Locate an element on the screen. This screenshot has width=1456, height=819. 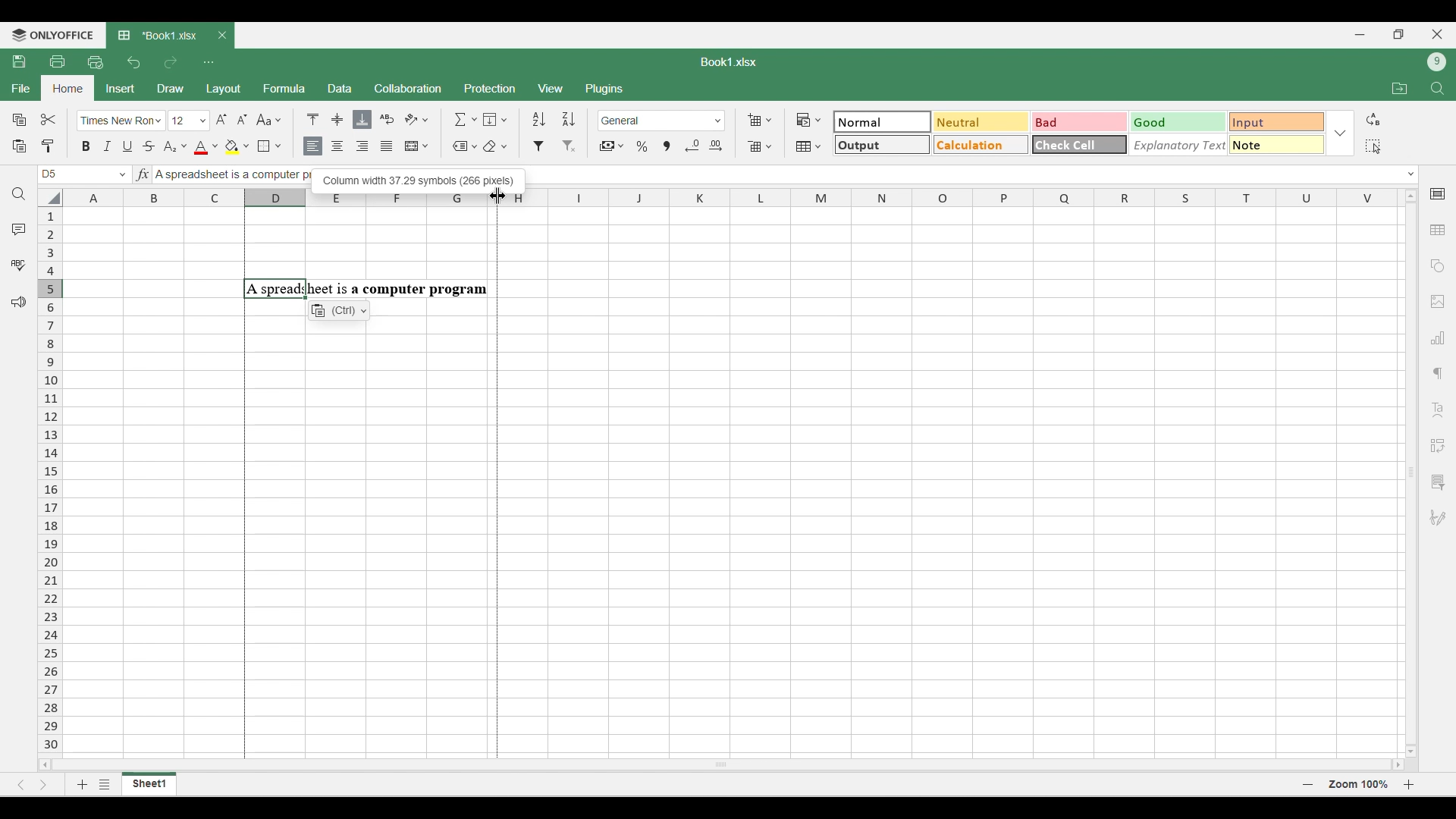
Close tab is located at coordinates (222, 36).